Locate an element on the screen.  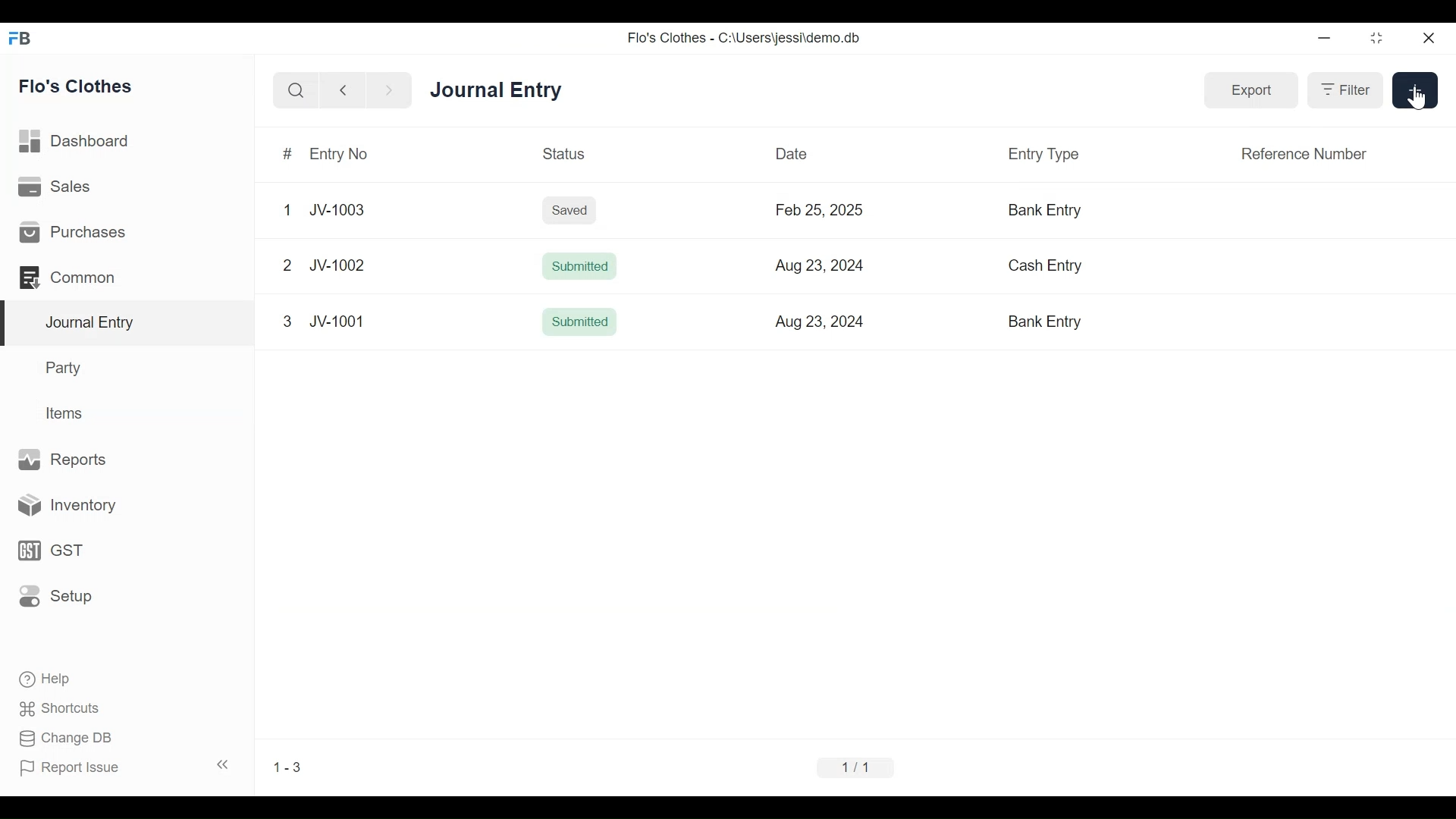
minimize is located at coordinates (1327, 39).